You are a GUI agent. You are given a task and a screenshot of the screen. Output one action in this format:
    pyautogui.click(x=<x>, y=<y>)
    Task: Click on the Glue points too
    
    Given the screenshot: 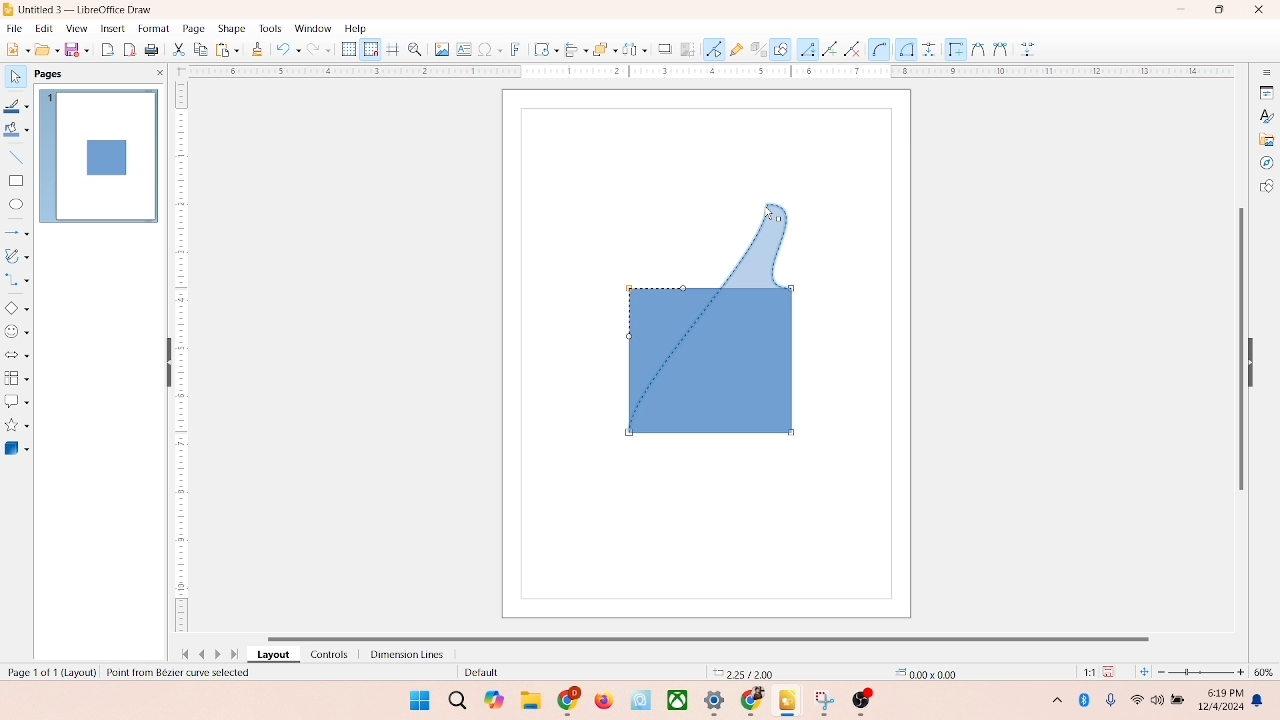 What is the action you would take?
    pyautogui.click(x=1029, y=50)
    